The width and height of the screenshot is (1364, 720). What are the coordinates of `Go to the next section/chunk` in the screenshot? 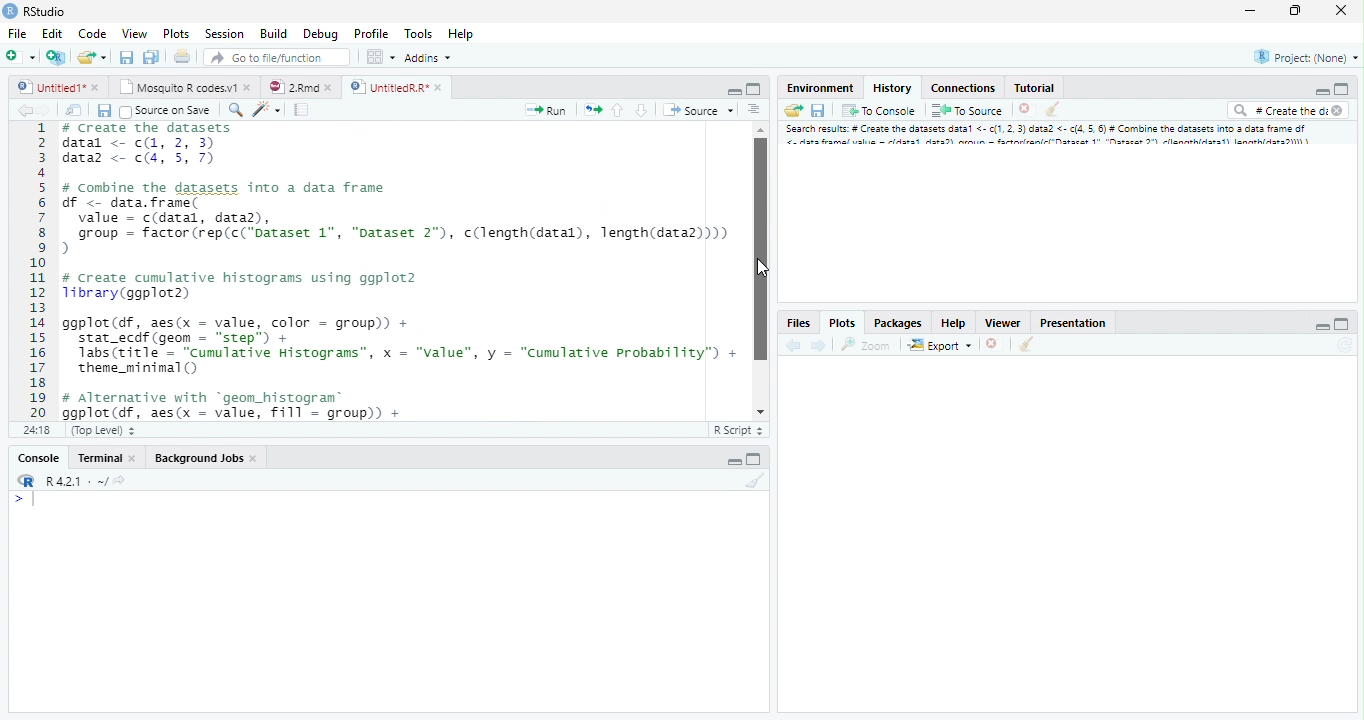 It's located at (641, 111).